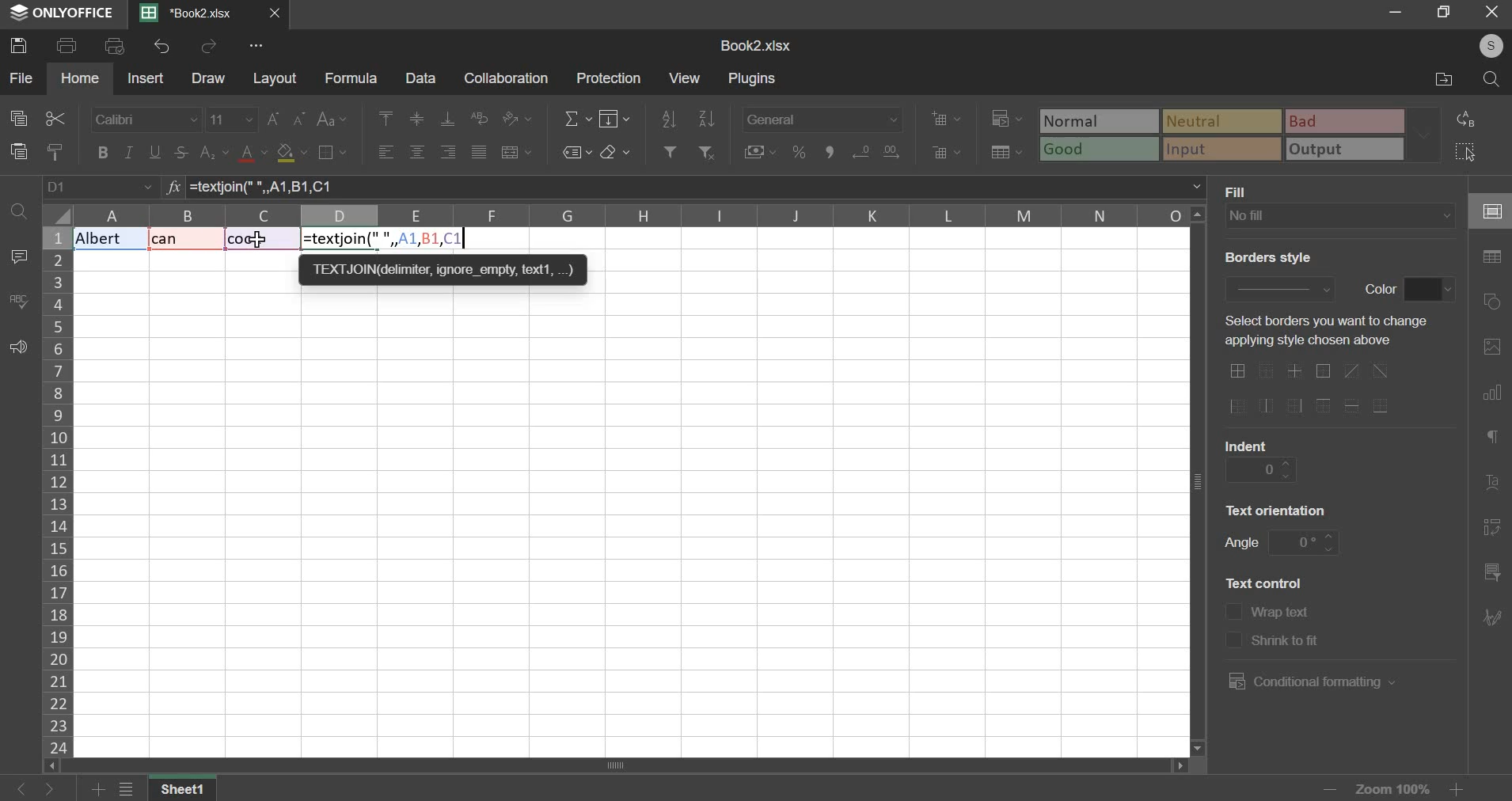 The image size is (1512, 801). I want to click on cut, so click(54, 119).